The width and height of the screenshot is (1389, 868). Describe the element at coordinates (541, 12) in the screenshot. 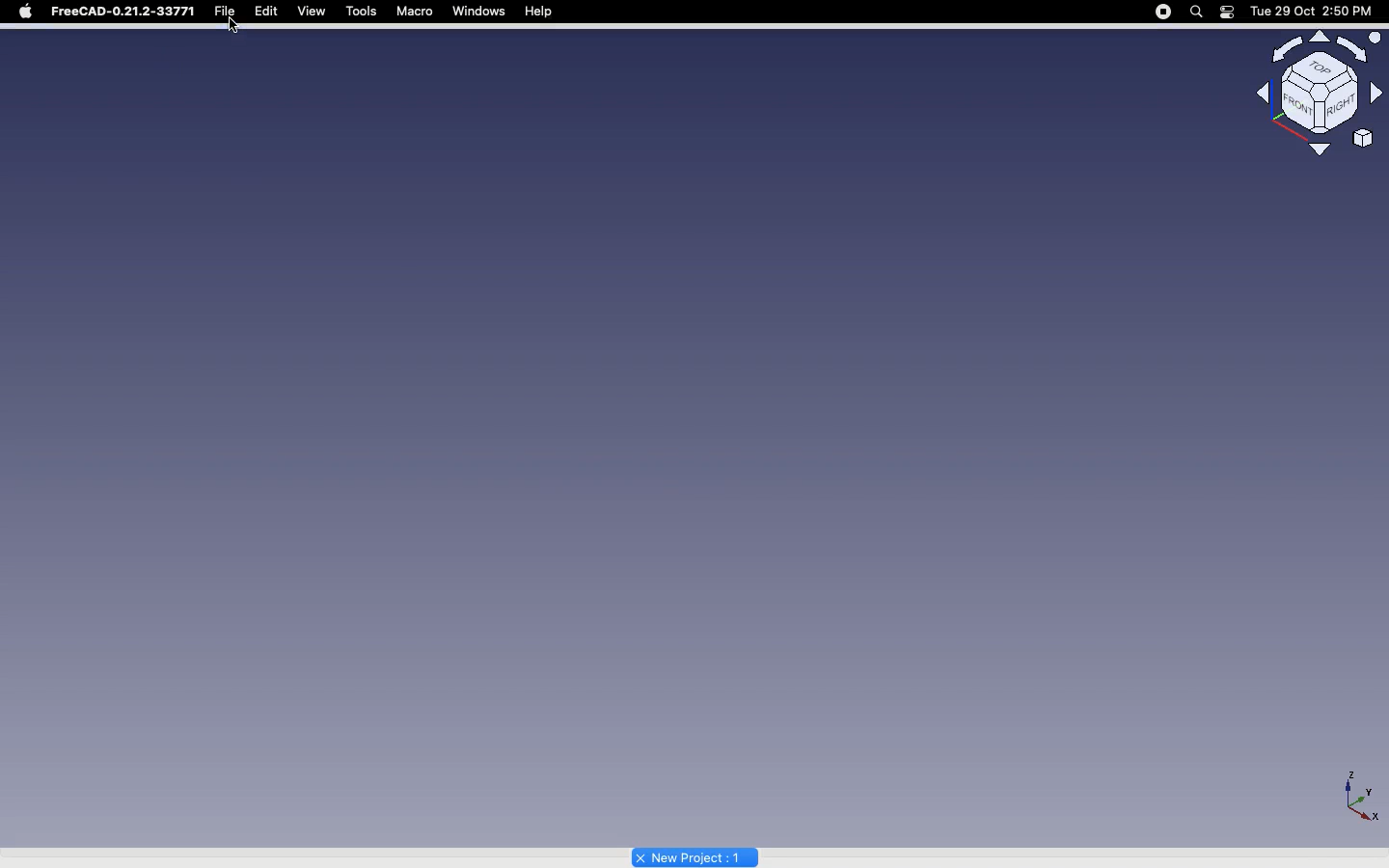

I see `Help` at that location.